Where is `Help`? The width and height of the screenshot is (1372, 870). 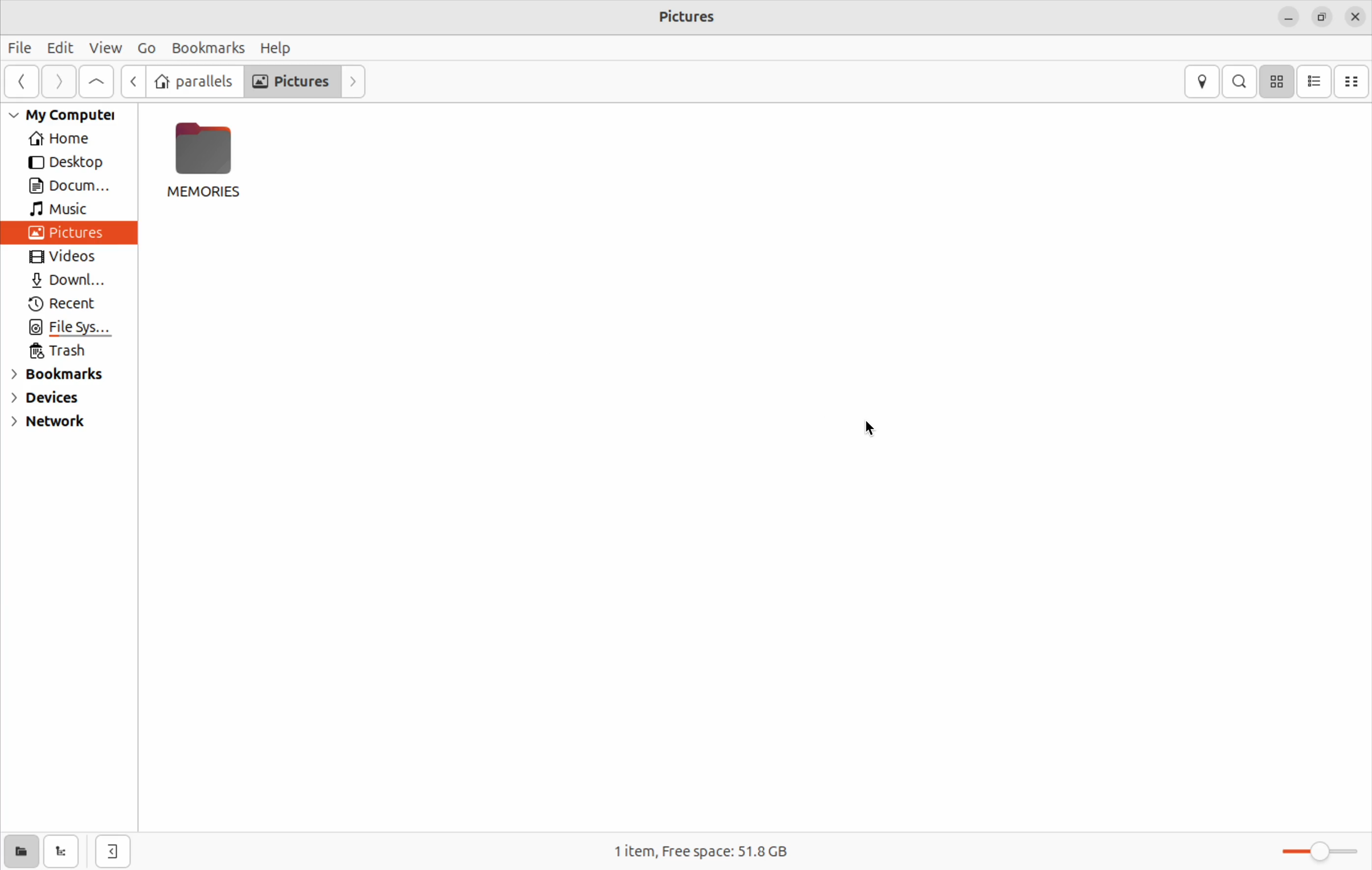 Help is located at coordinates (276, 48).